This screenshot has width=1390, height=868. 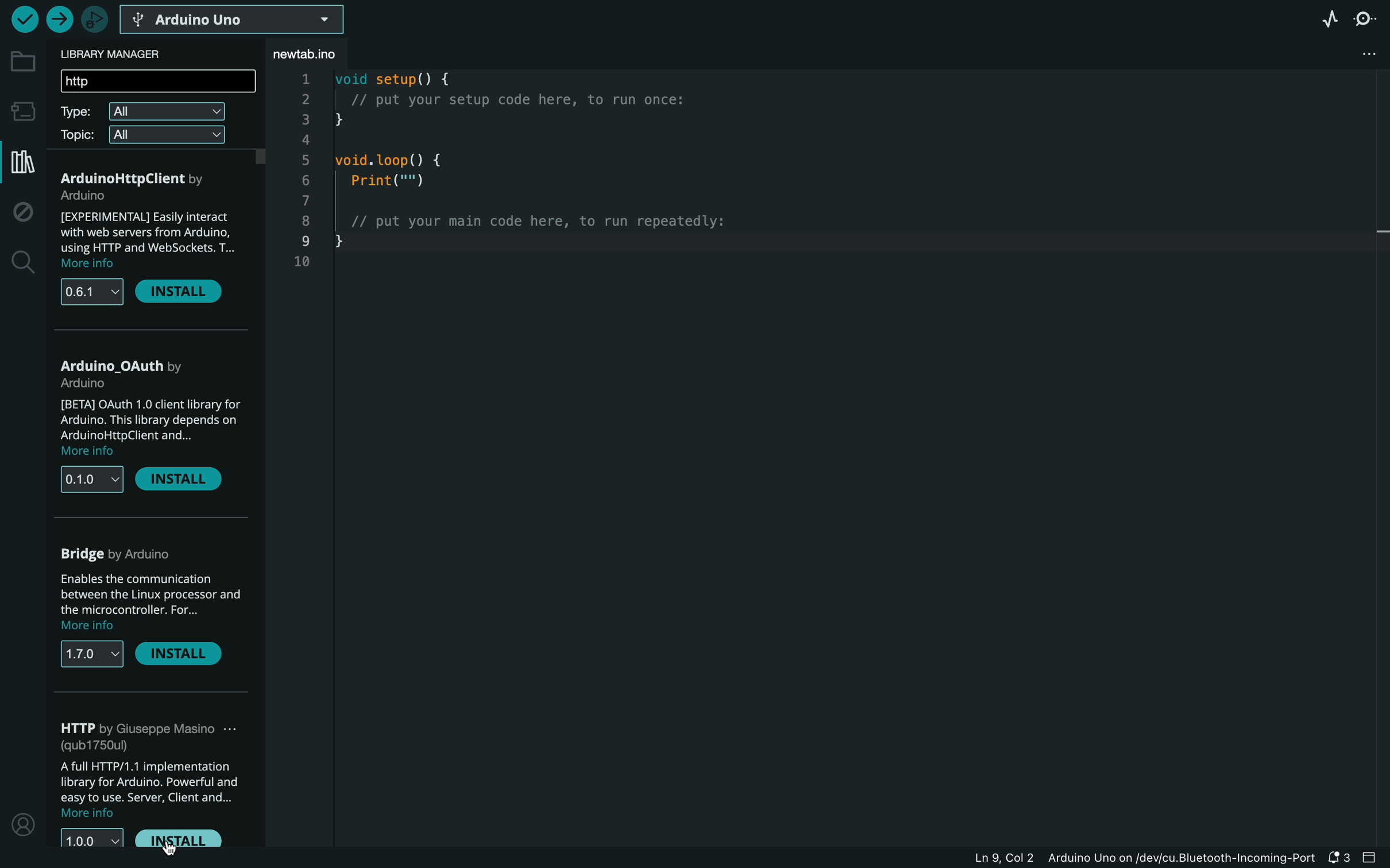 I want to click on versions, so click(x=91, y=288).